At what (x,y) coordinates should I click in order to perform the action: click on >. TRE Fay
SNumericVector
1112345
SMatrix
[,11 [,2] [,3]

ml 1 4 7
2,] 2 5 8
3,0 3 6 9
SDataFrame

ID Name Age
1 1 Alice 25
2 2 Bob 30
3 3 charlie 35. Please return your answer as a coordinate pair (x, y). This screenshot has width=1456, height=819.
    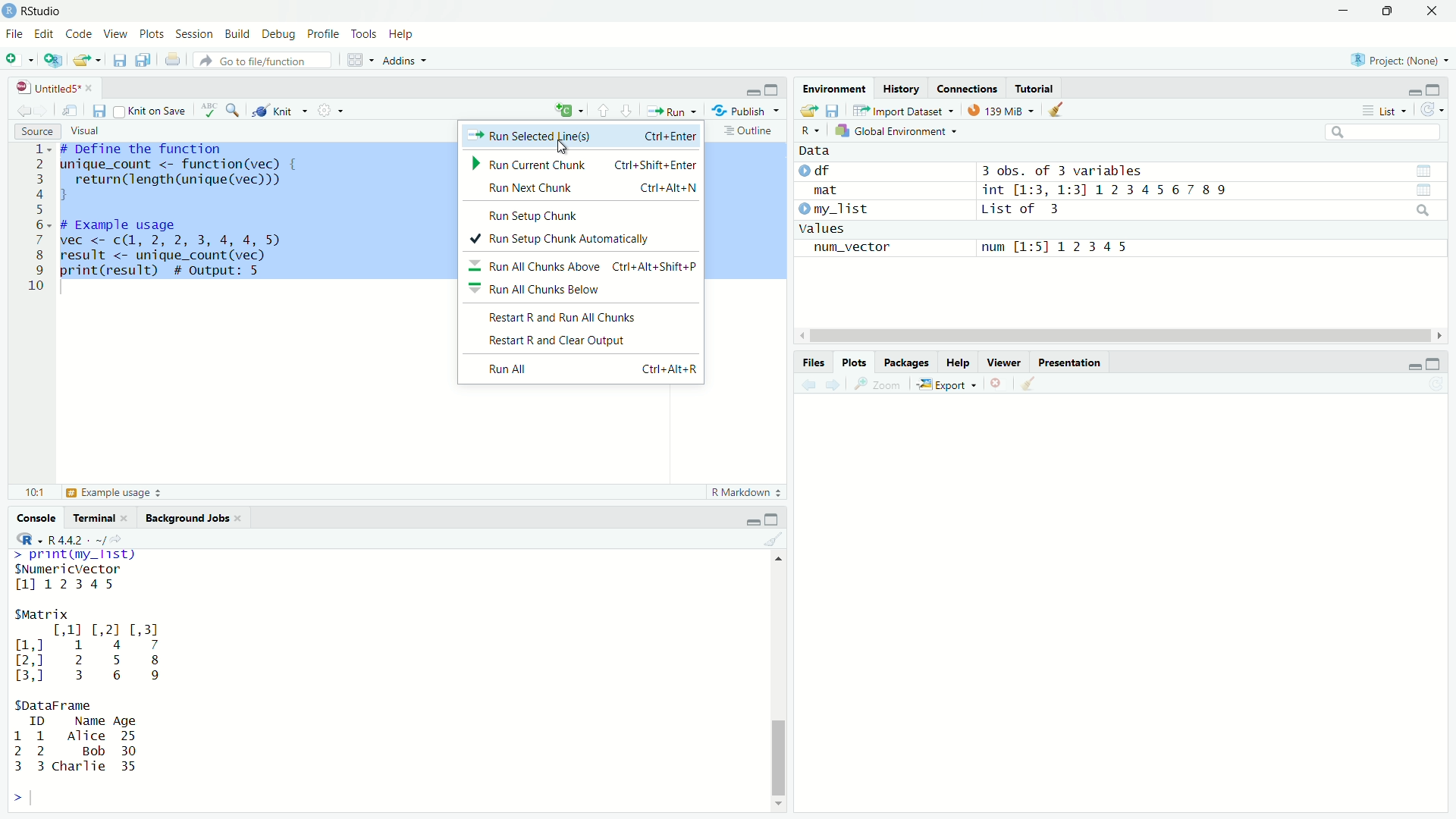
    Looking at the image, I should click on (92, 666).